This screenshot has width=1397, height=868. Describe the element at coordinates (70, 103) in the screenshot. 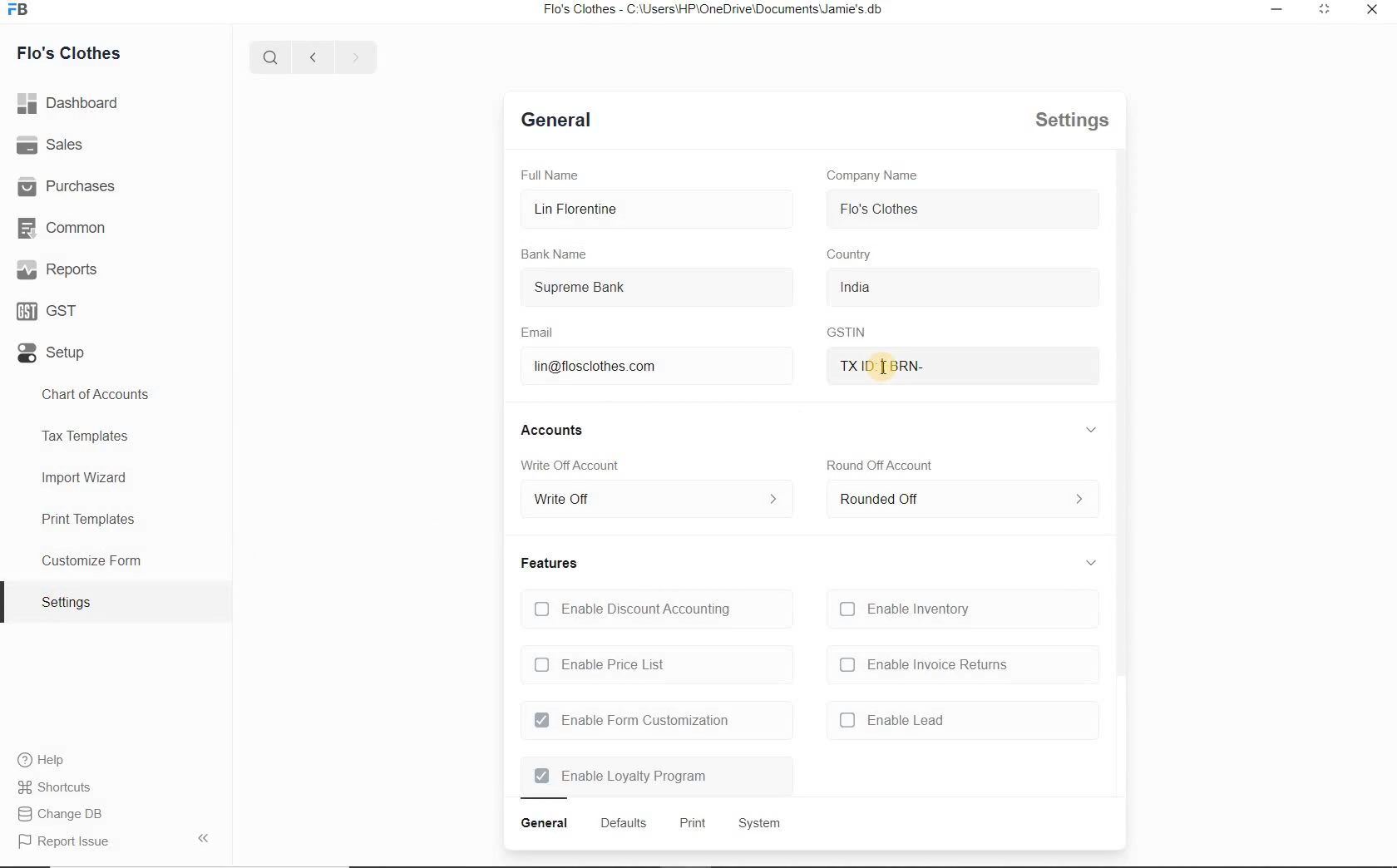

I see `dashboard` at that location.